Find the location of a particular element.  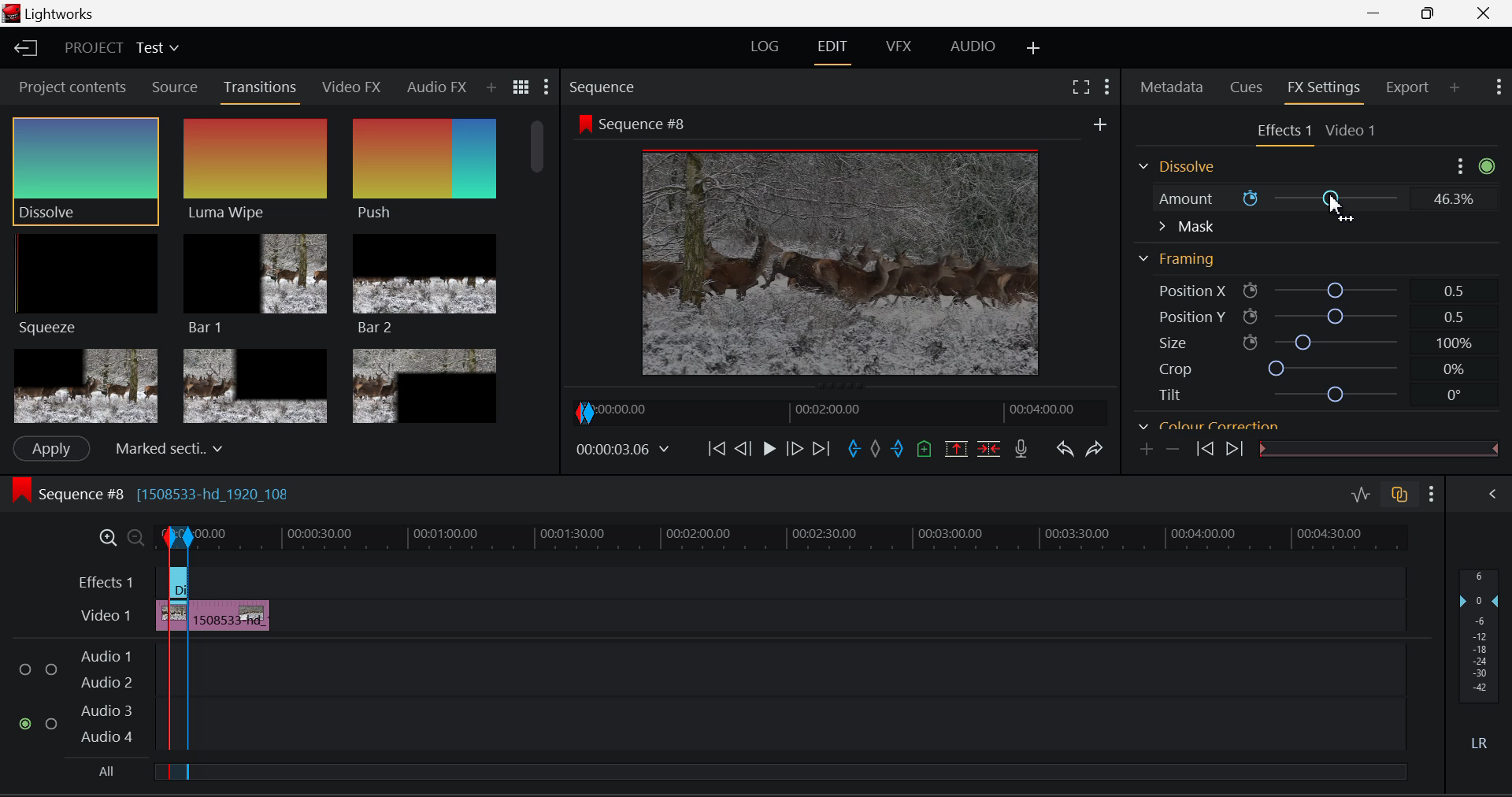

Mark In Point is located at coordinates (854, 451).